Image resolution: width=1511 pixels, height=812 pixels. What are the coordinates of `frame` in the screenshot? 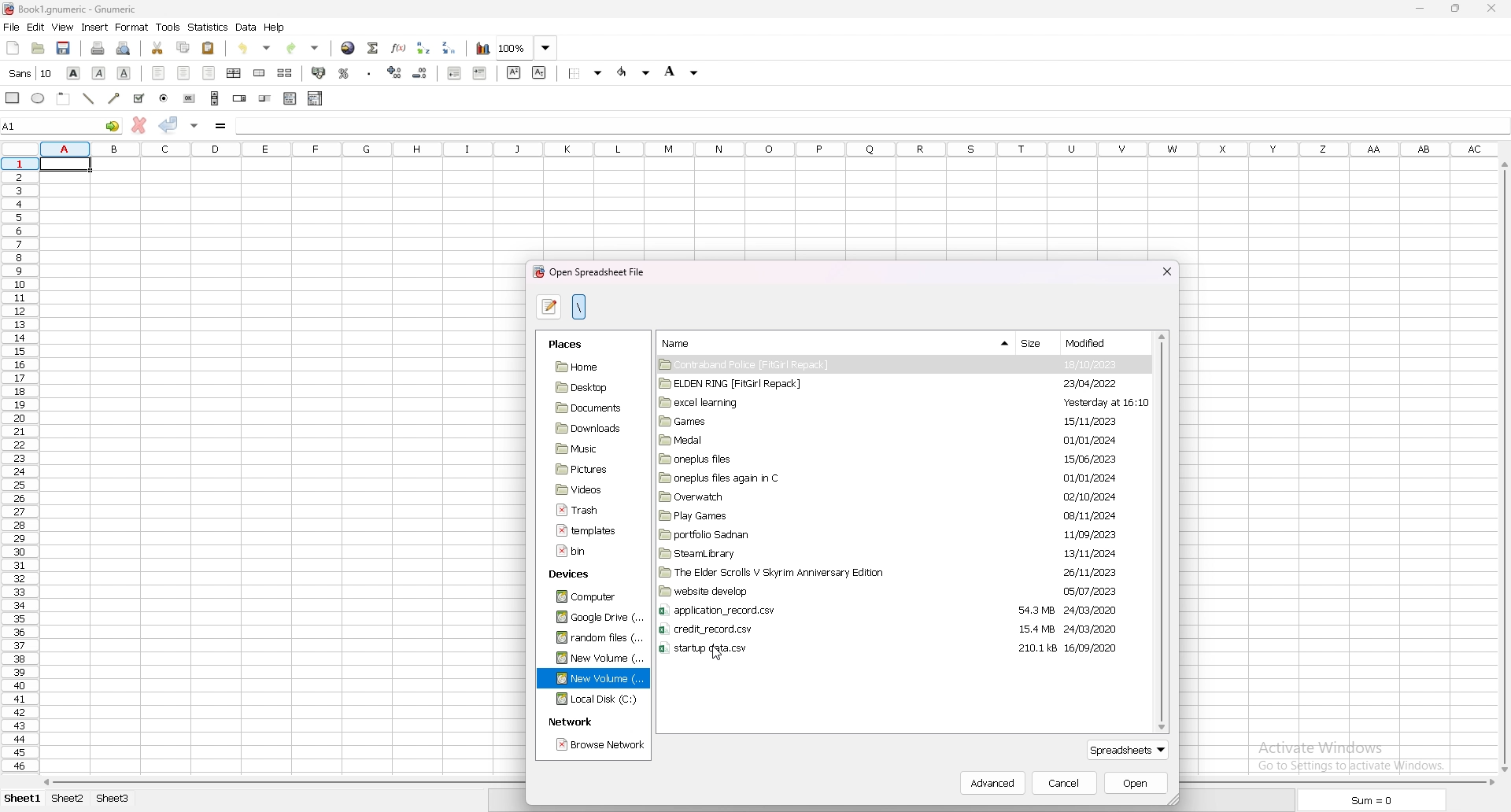 It's located at (61, 98).